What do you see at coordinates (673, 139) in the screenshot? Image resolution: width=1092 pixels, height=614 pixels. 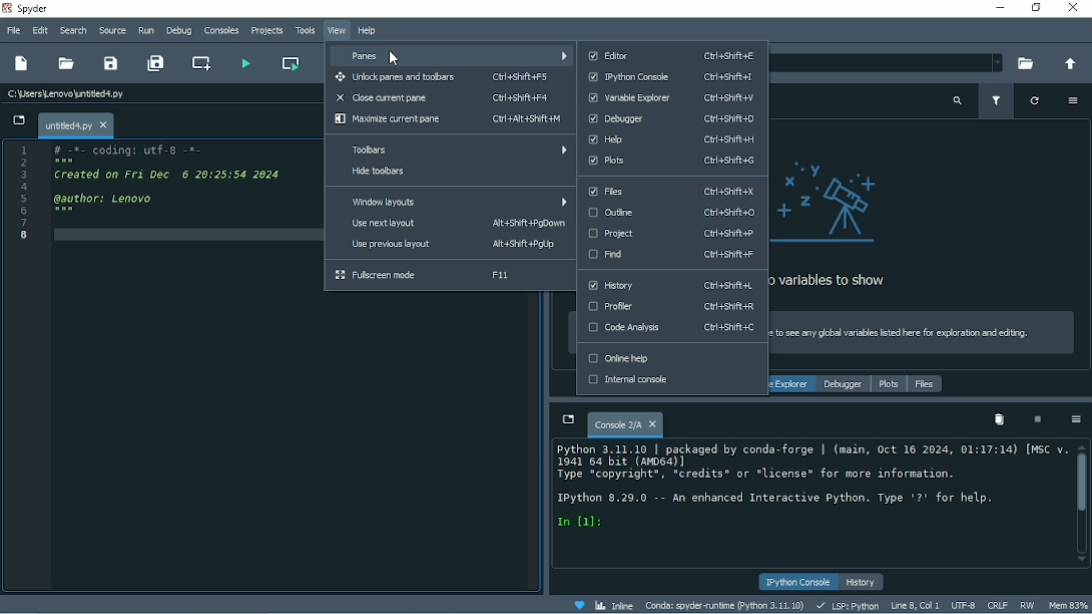 I see `Help` at bounding box center [673, 139].